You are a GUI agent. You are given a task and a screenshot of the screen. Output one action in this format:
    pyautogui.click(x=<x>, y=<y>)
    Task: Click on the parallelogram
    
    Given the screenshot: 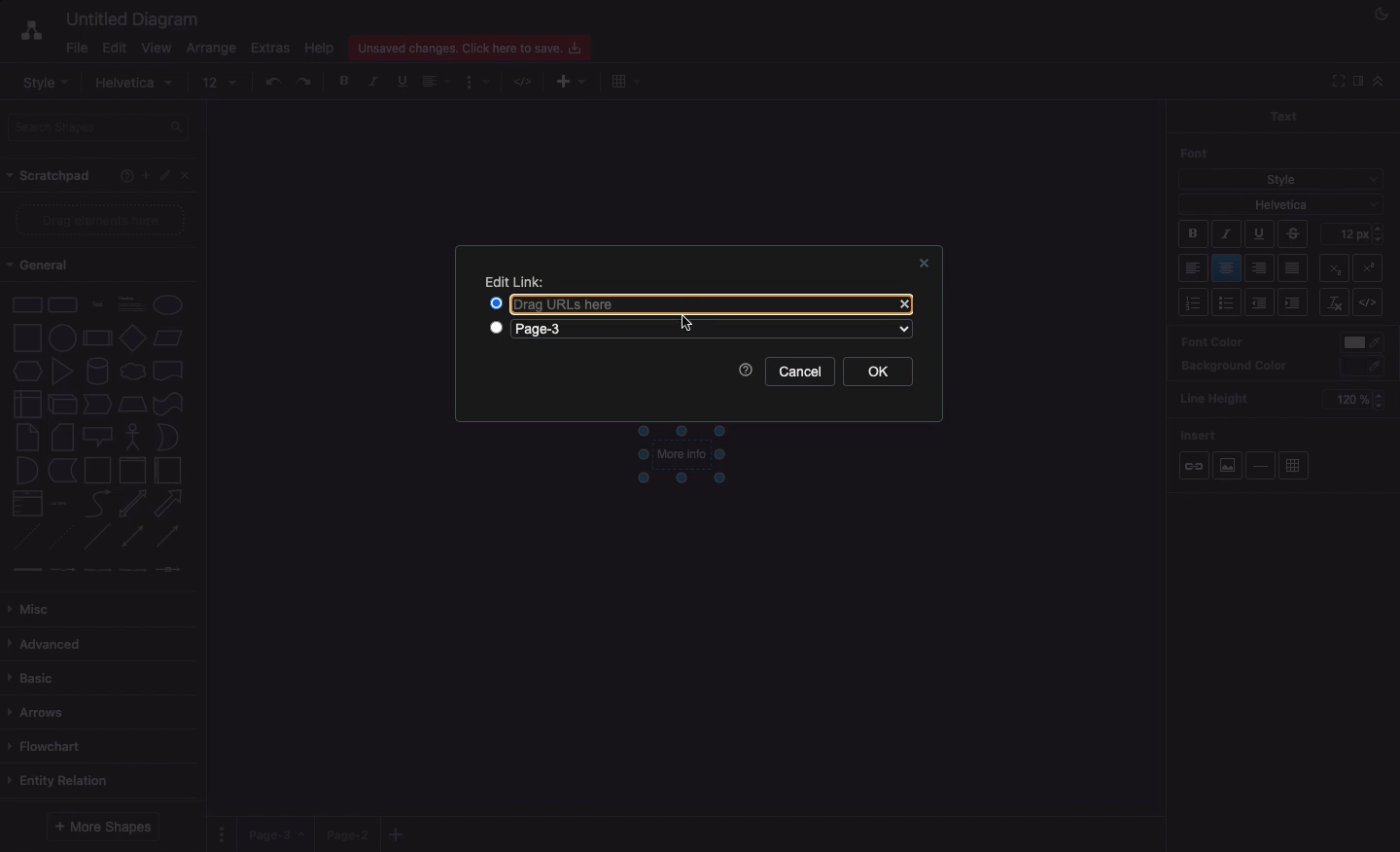 What is the action you would take?
    pyautogui.click(x=168, y=337)
    